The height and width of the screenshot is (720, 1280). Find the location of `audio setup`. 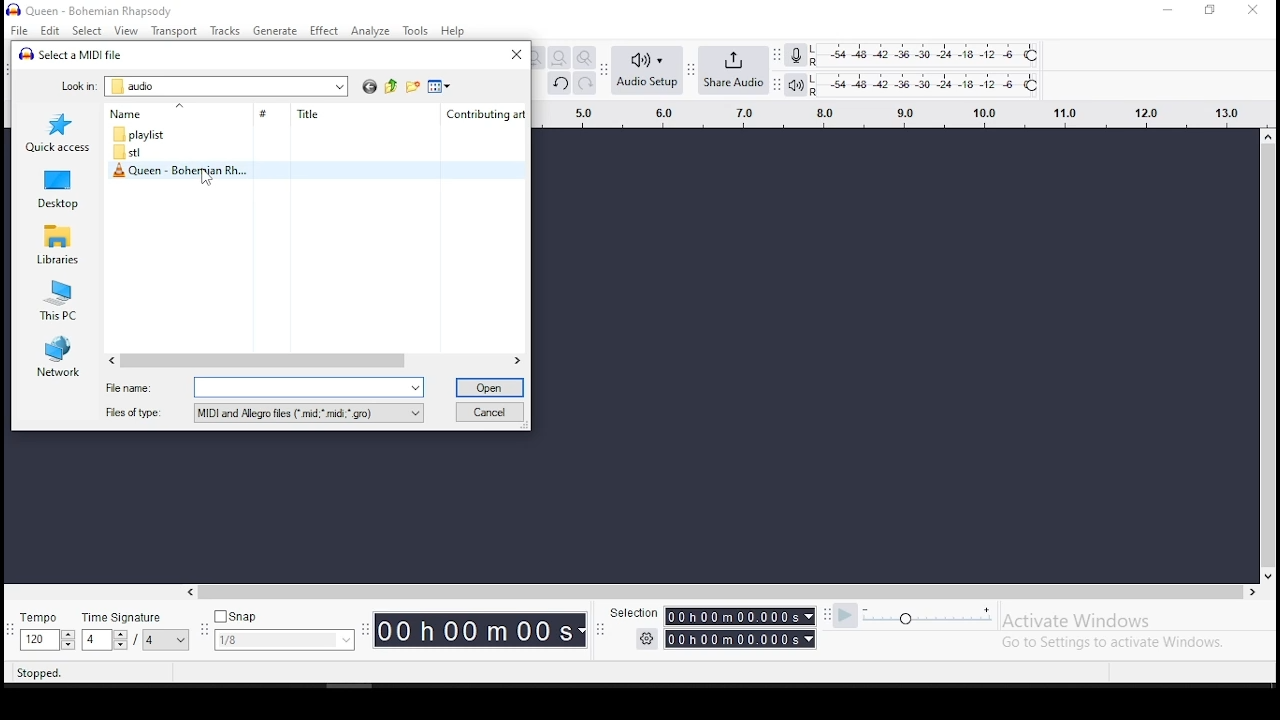

audio setup is located at coordinates (647, 70).